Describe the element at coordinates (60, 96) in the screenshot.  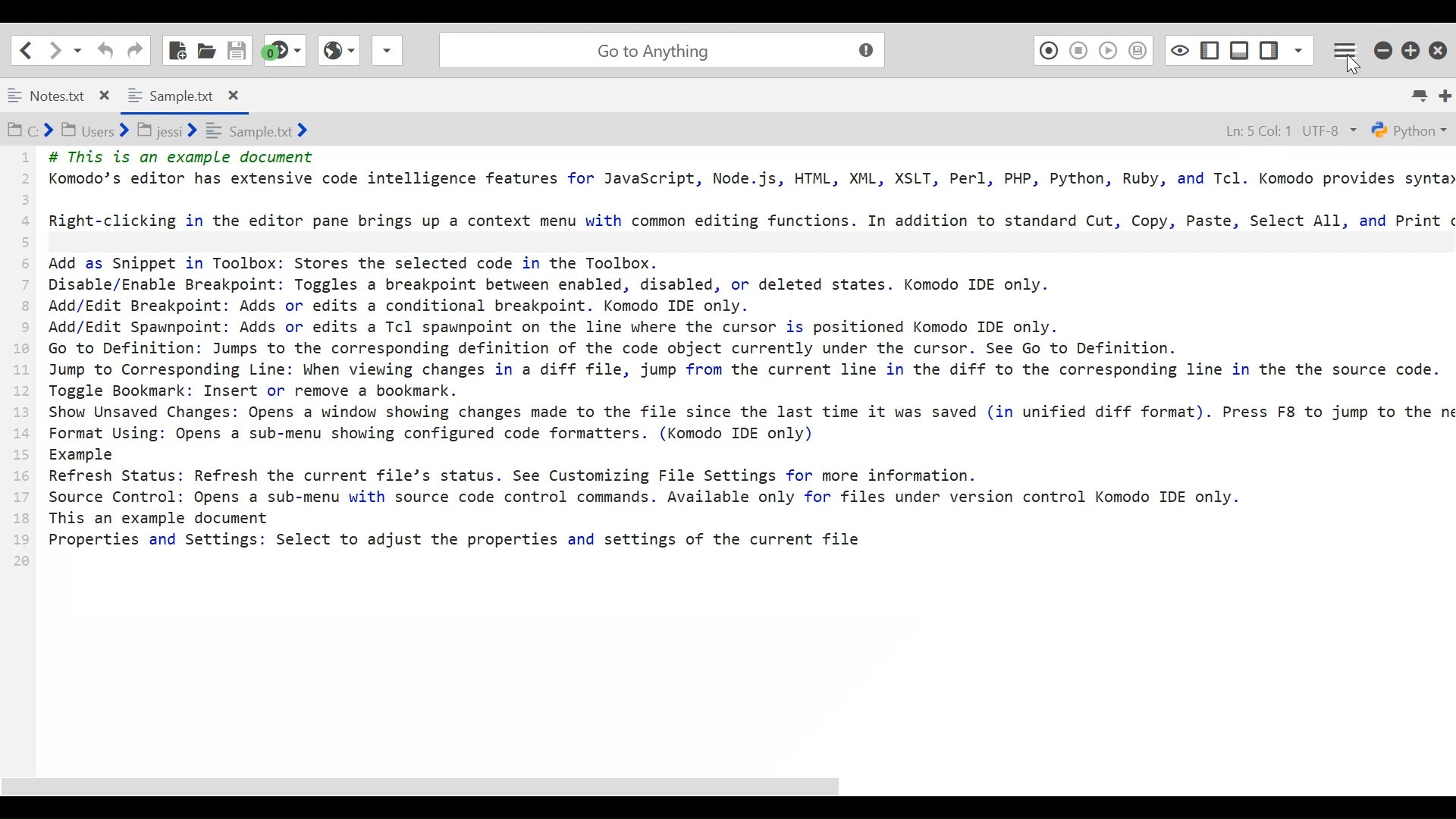
I see `Notes.txt` at that location.